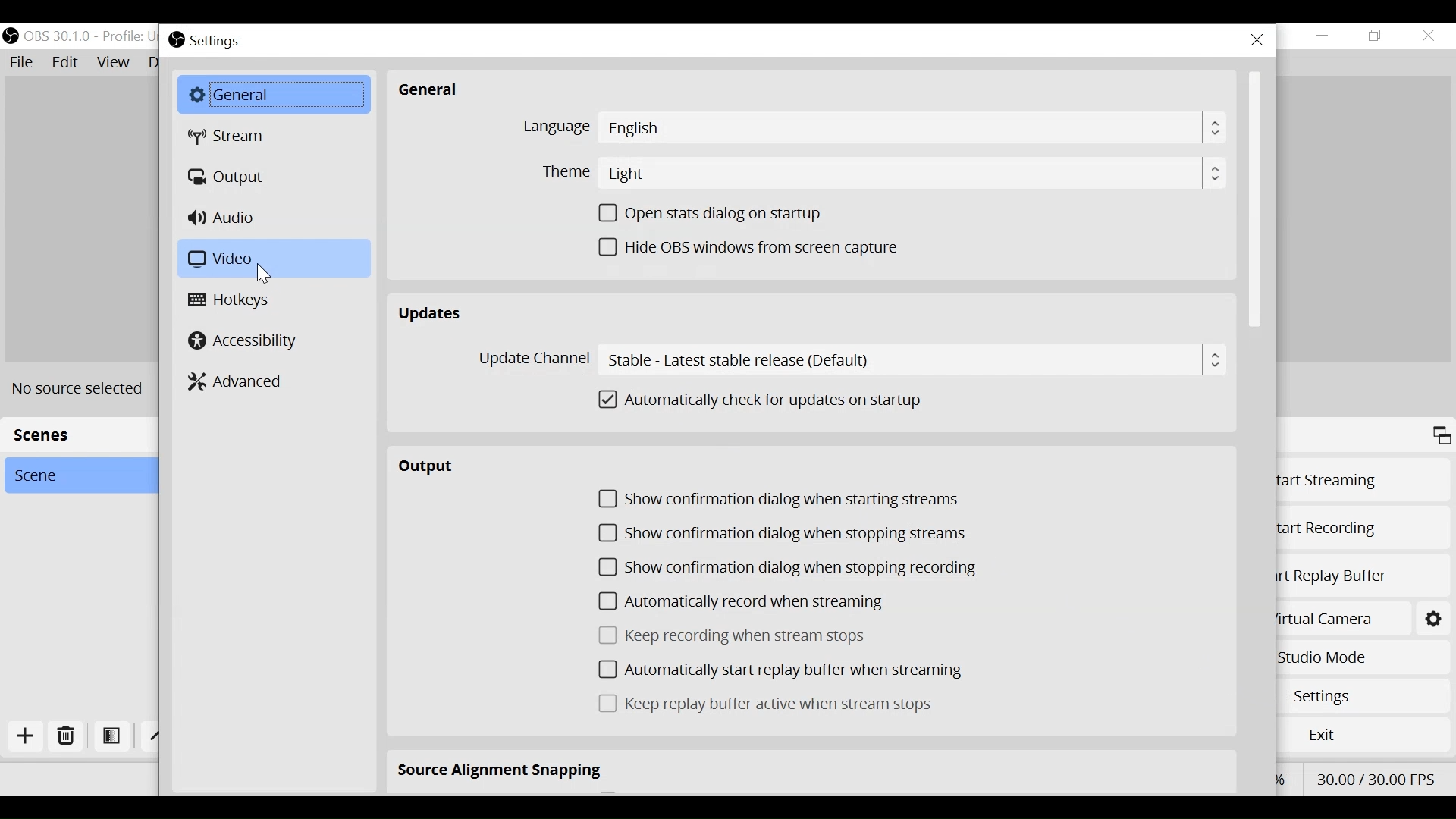 The width and height of the screenshot is (1456, 819). I want to click on Output, so click(229, 177).